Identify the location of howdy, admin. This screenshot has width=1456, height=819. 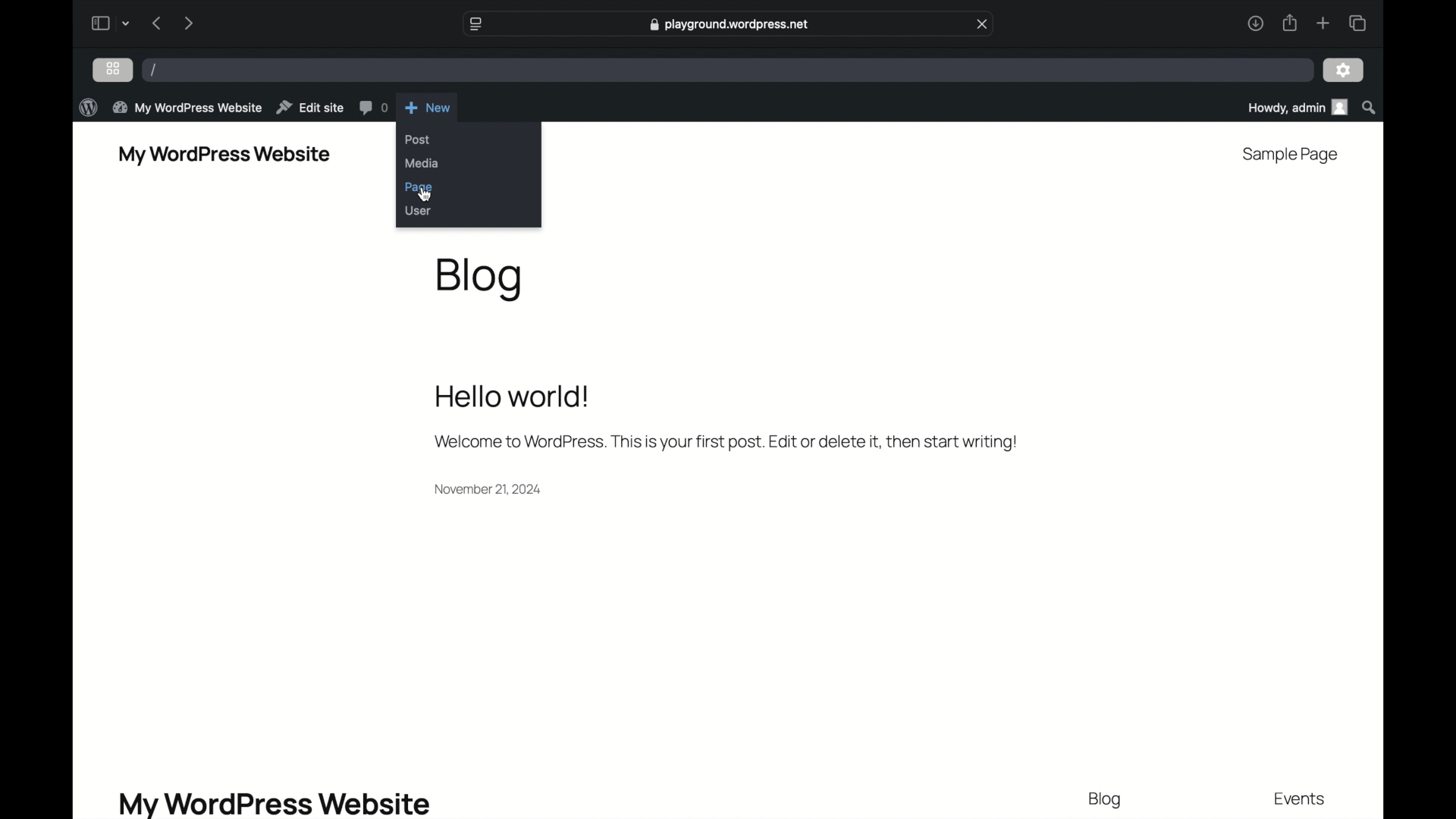
(1296, 107).